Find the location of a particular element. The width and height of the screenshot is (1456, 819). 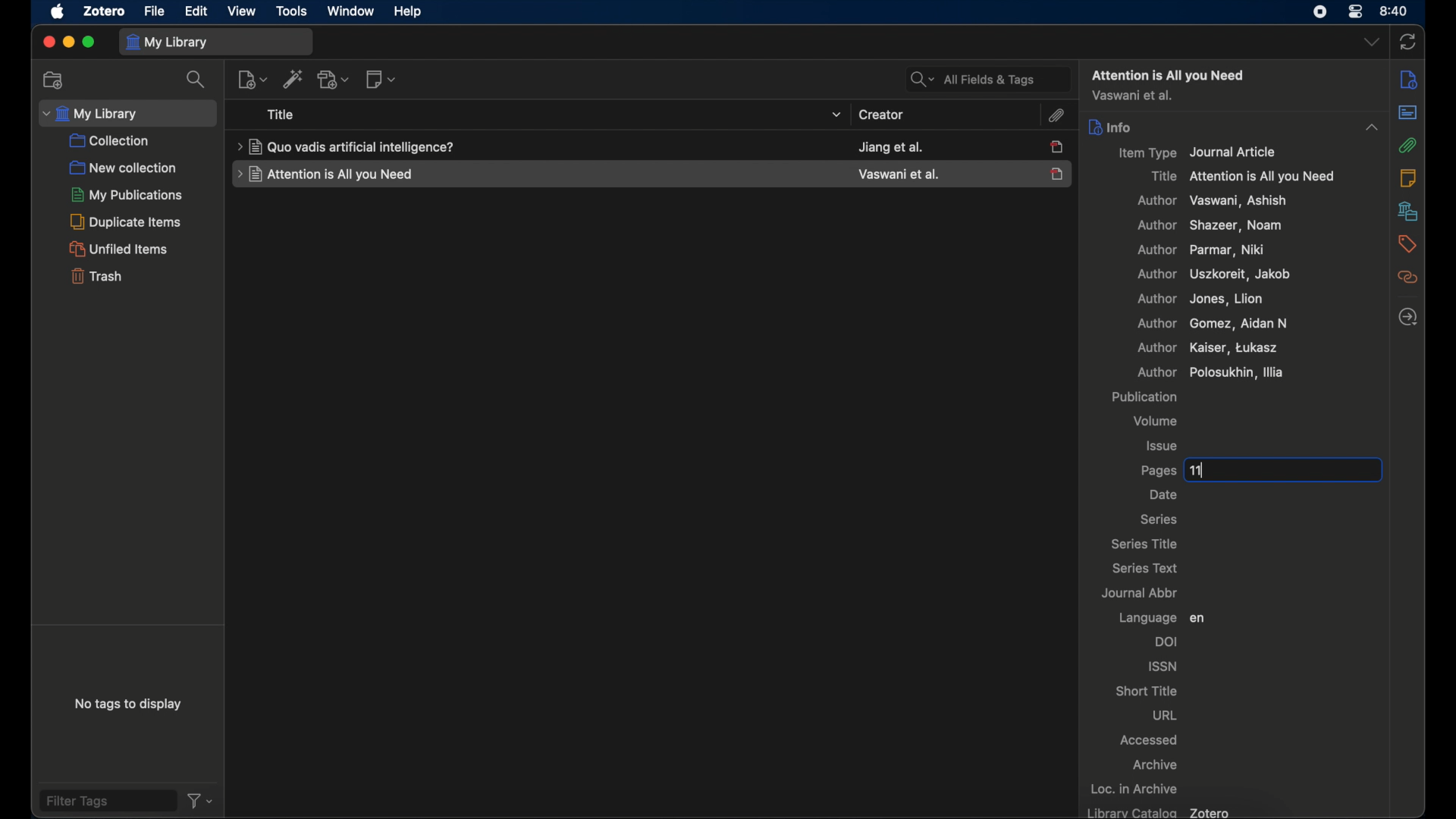

title attention is all you need is located at coordinates (1244, 177).